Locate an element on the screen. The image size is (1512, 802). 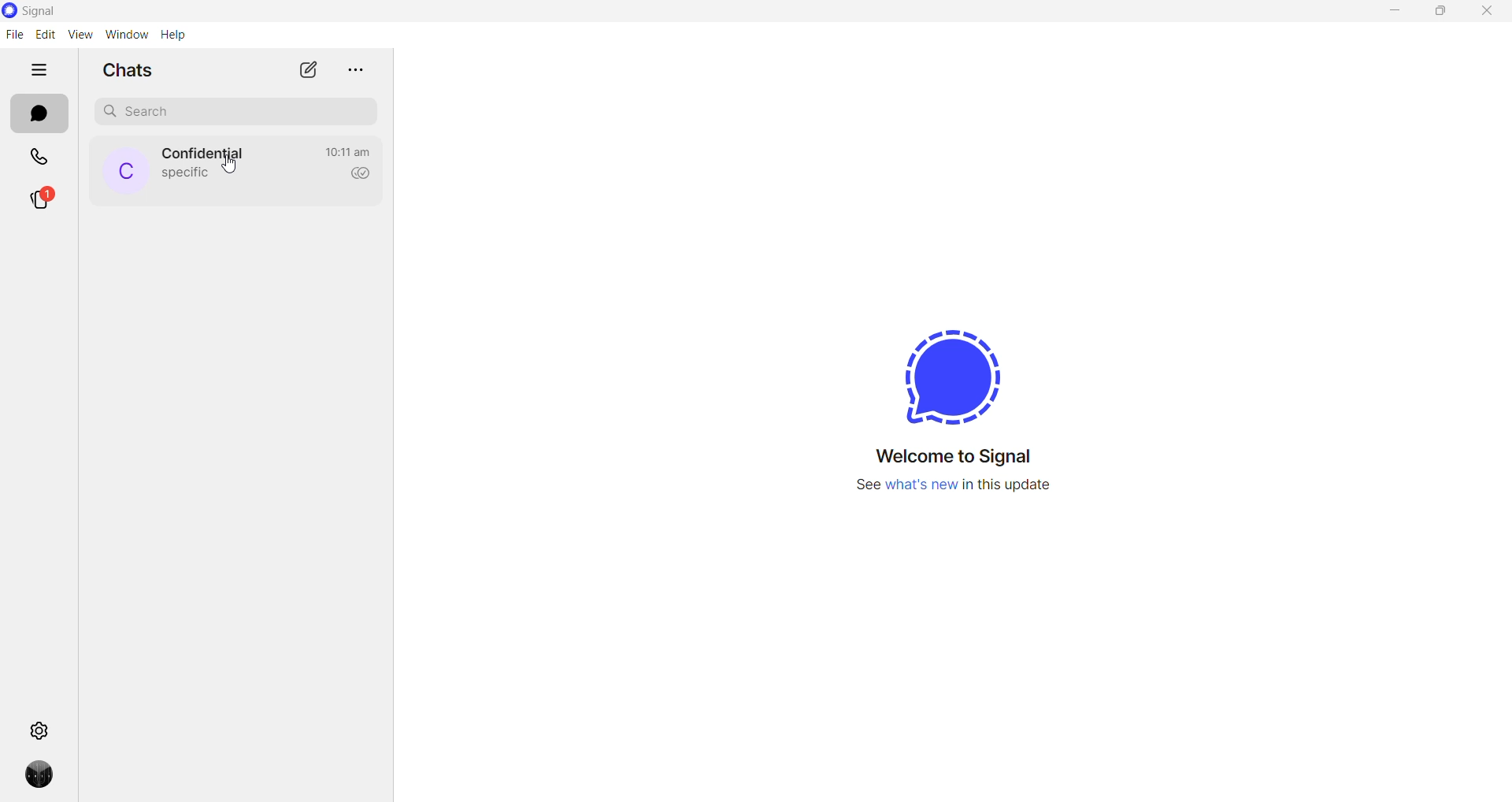
chats is located at coordinates (36, 114).